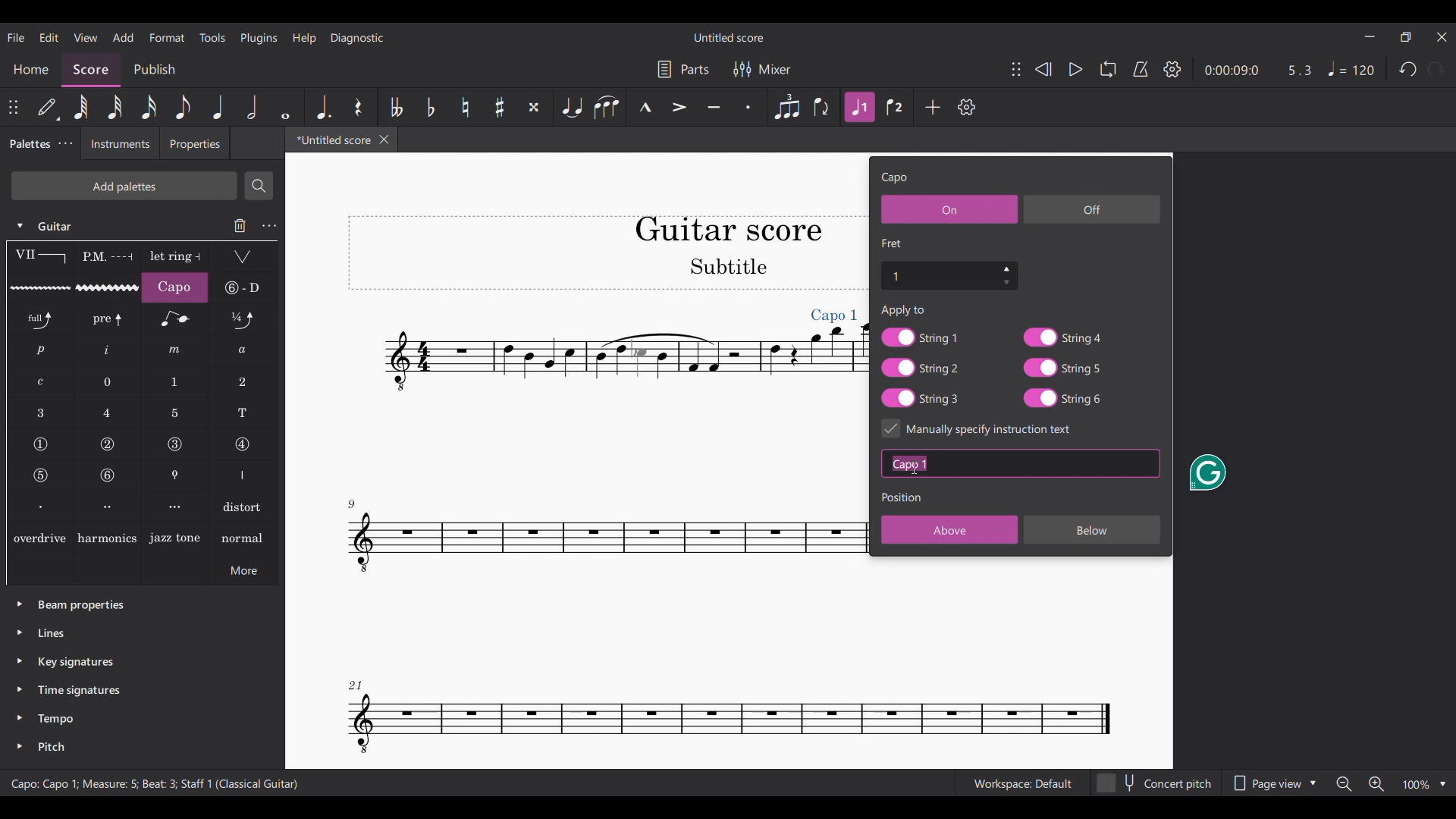 This screenshot has height=819, width=1456. Describe the element at coordinates (762, 69) in the screenshot. I see `Mixer settings` at that location.